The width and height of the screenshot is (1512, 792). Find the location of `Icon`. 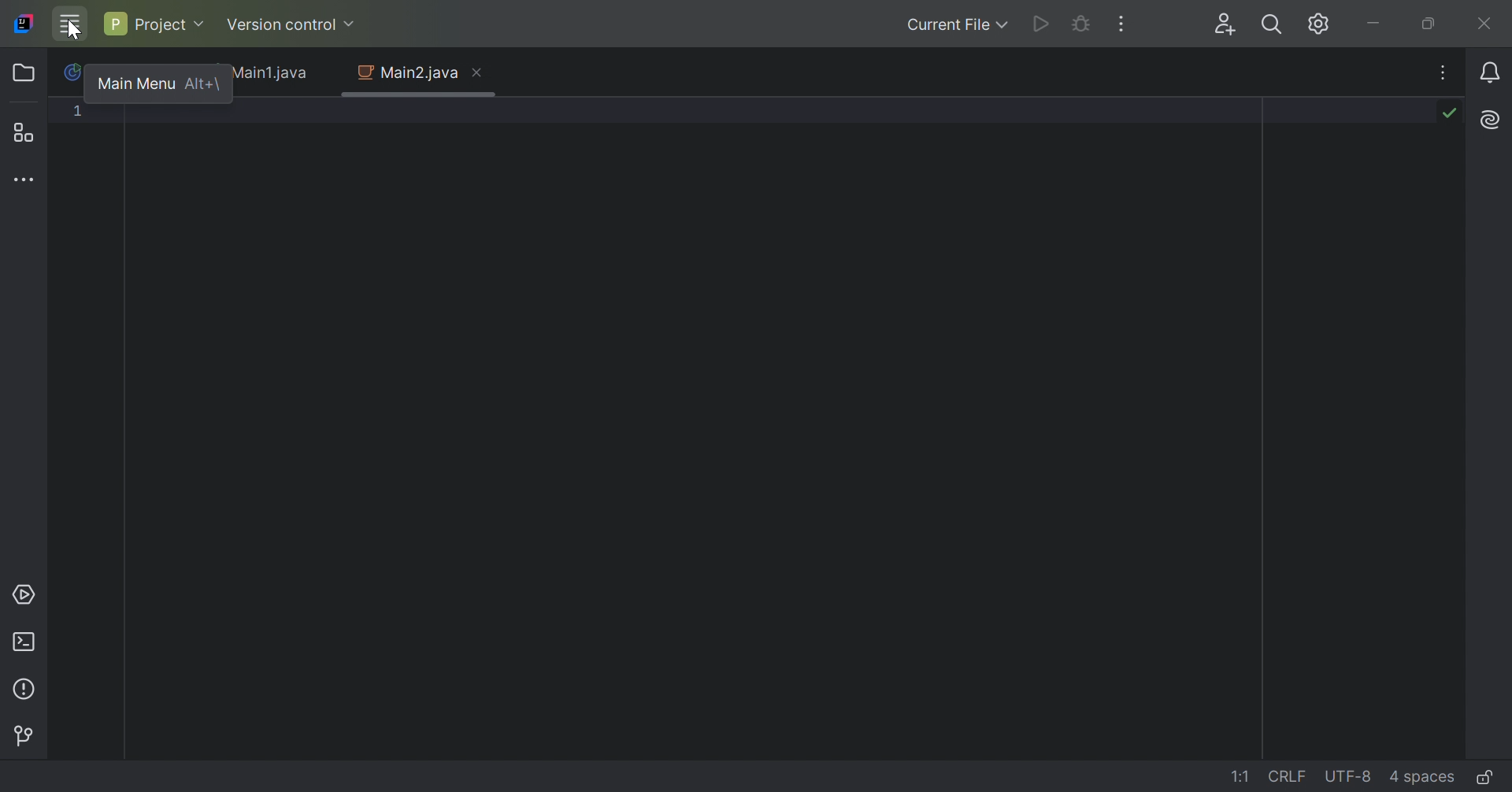

Icon is located at coordinates (22, 23).